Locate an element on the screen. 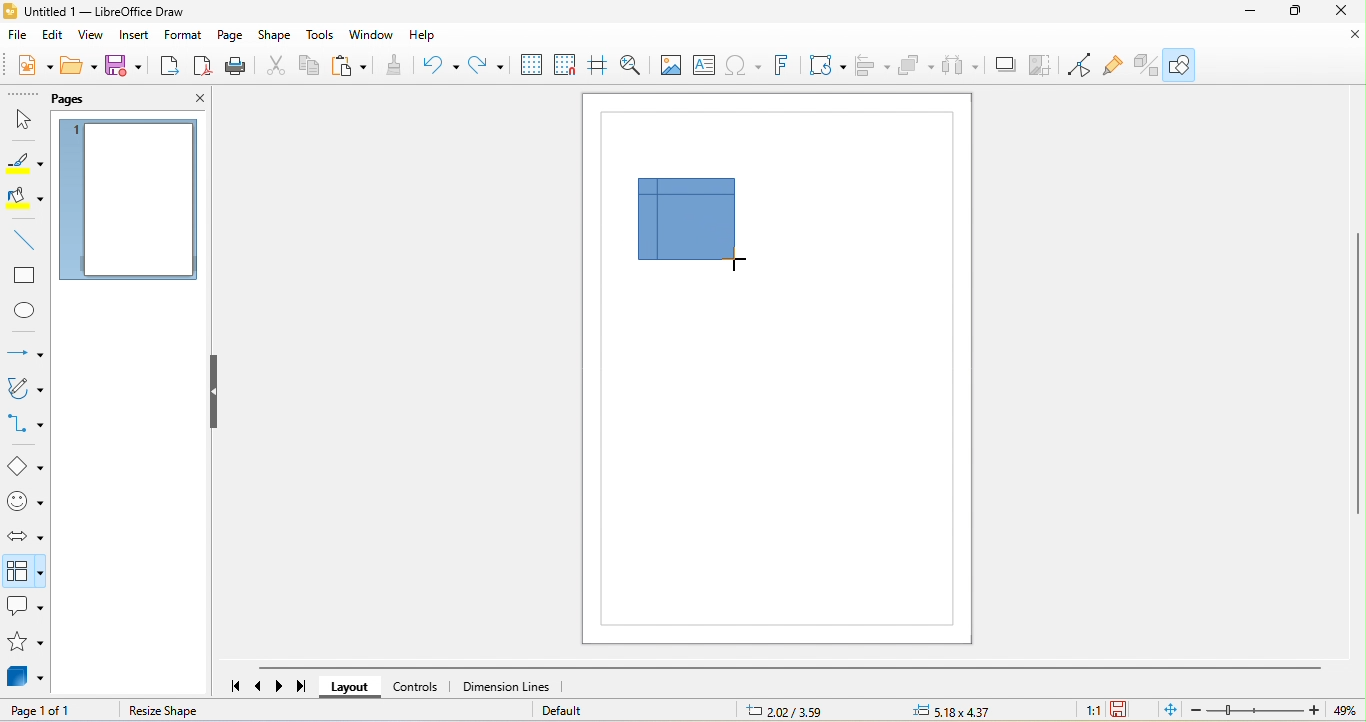  cut is located at coordinates (276, 68).